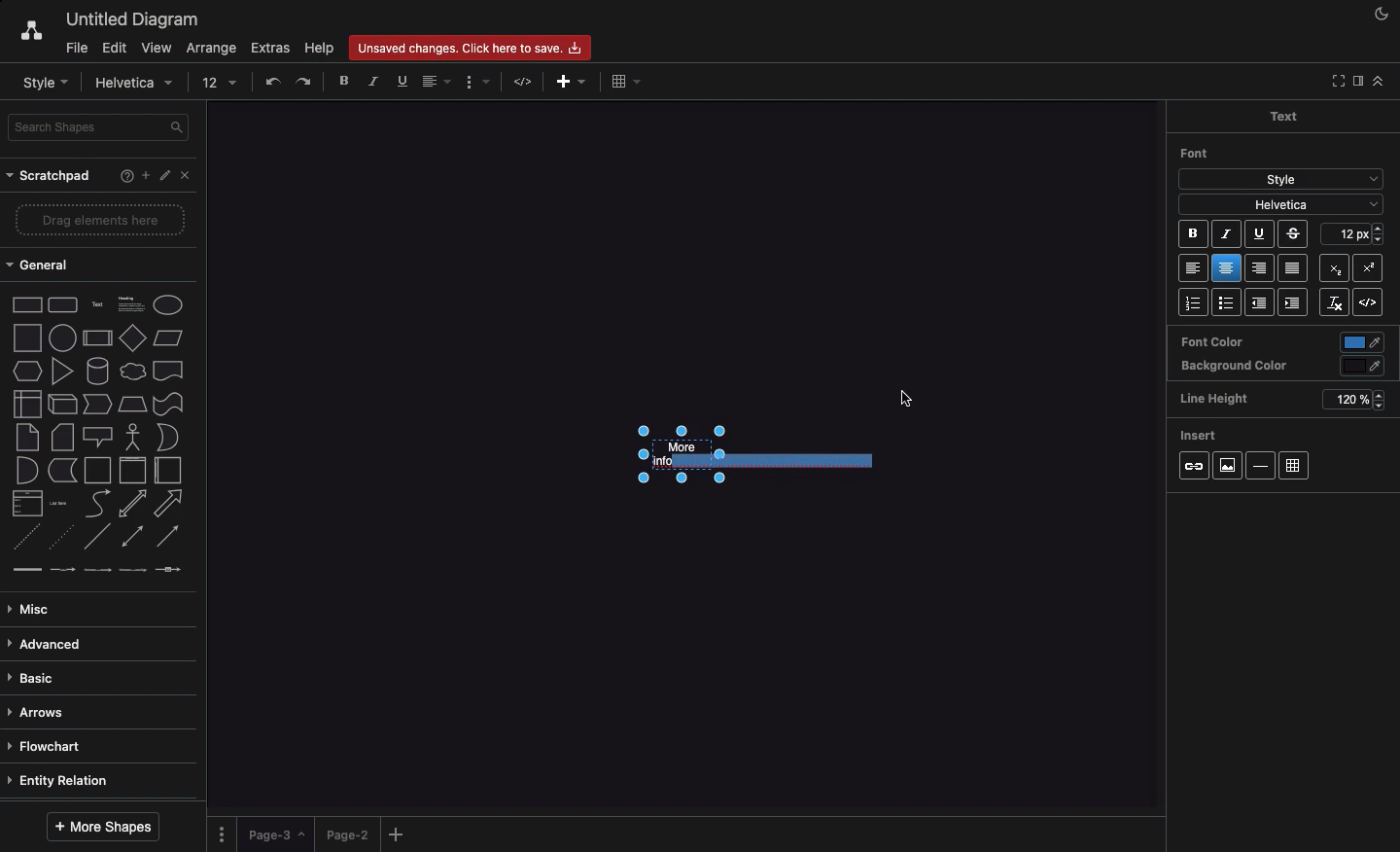 Image resolution: width=1400 pixels, height=852 pixels. What do you see at coordinates (1260, 269) in the screenshot?
I see `Right aligned` at bounding box center [1260, 269].